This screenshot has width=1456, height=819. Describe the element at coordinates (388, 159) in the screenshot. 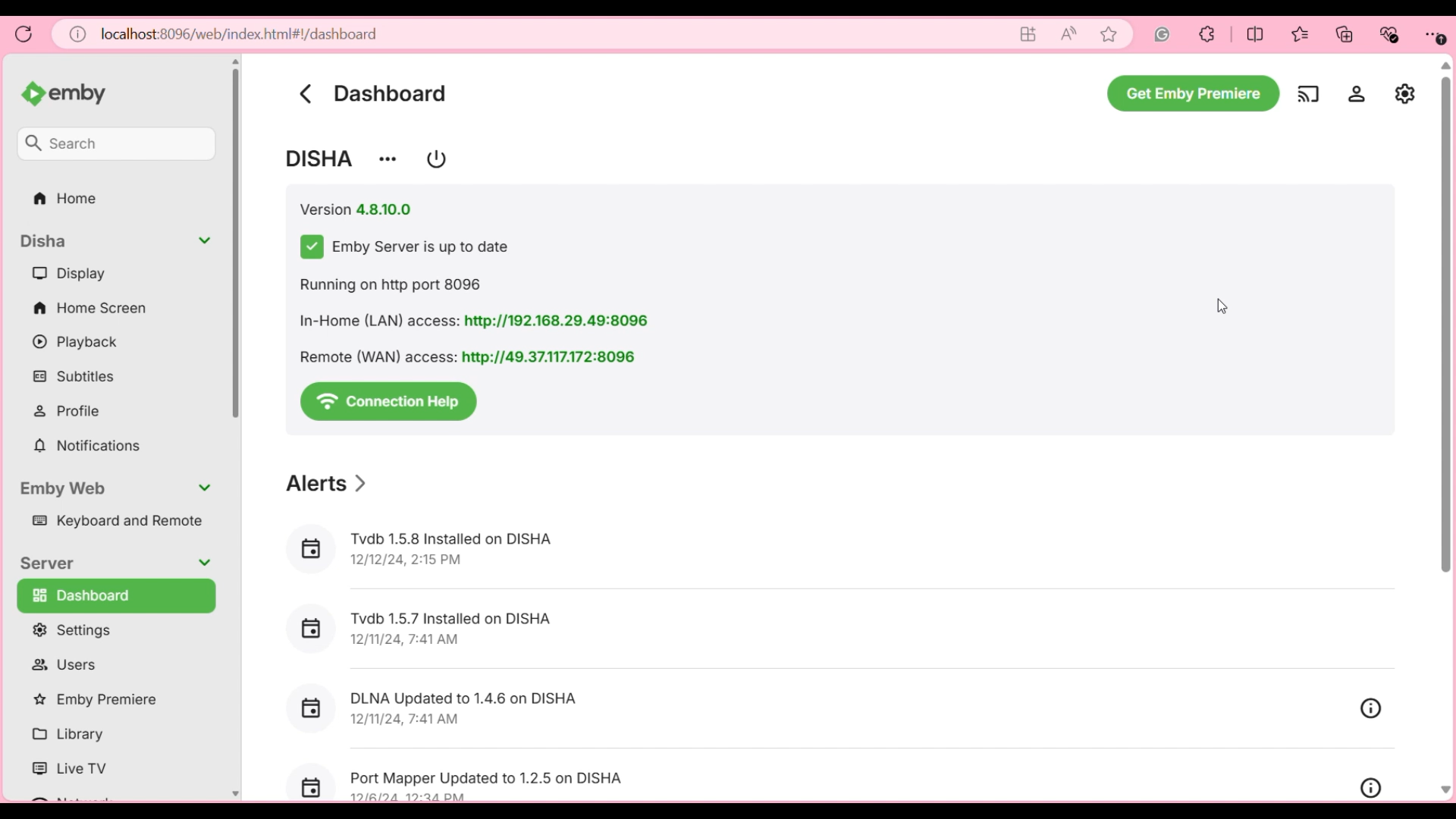

I see `Change server display name/View info` at that location.